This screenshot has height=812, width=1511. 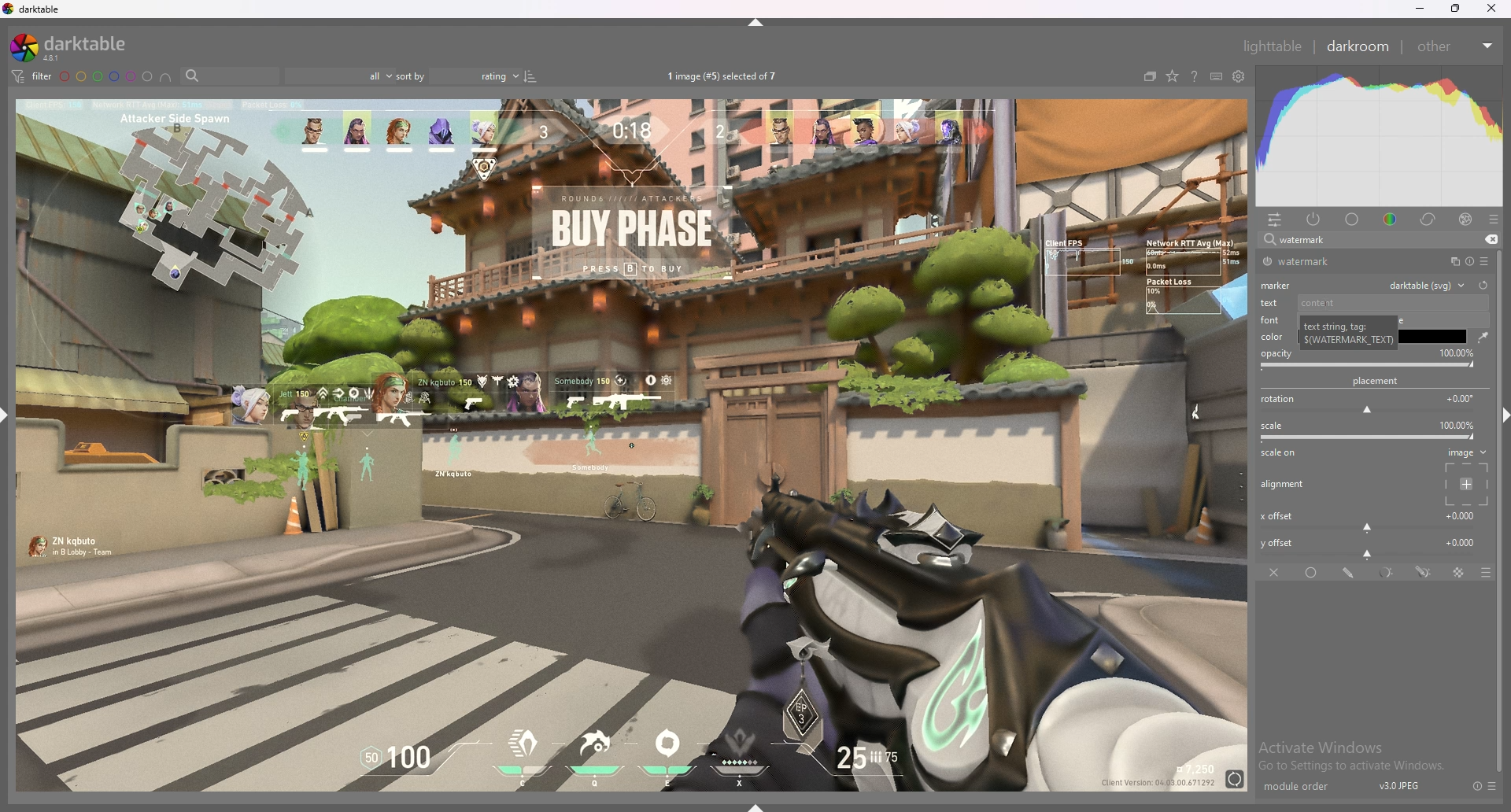 I want to click on scale, so click(x=1371, y=431).